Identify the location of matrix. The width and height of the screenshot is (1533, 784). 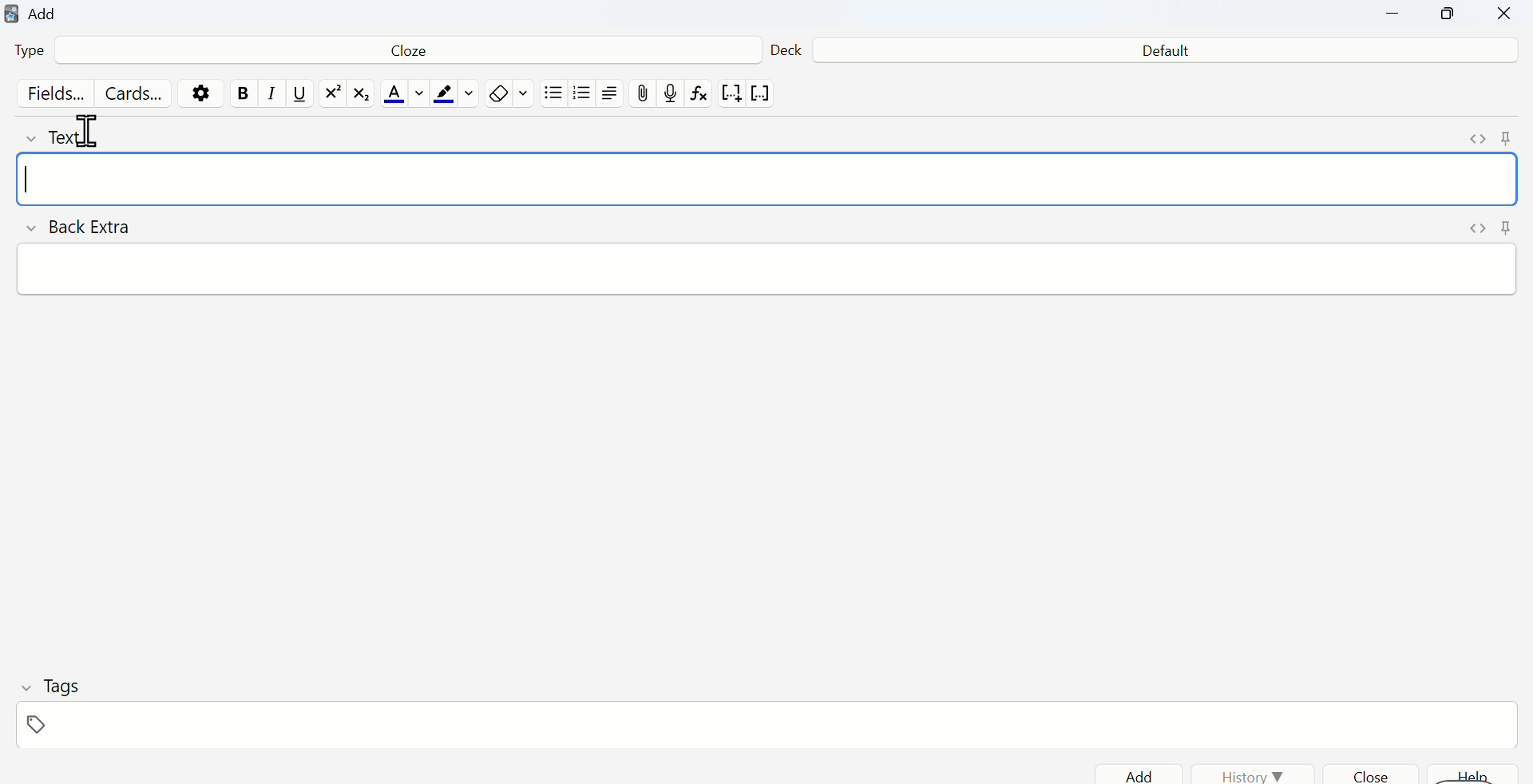
(362, 96).